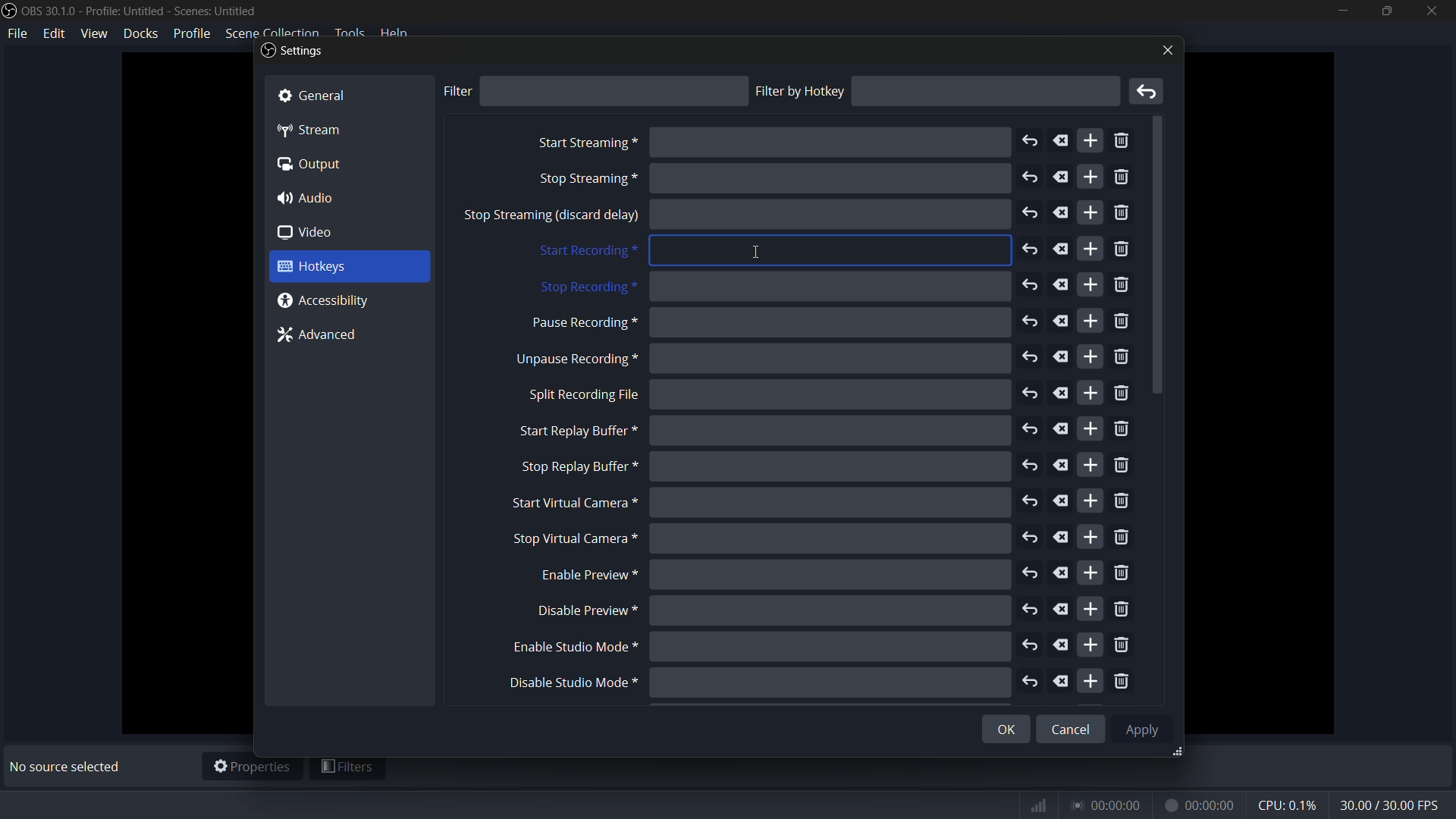  Describe the element at coordinates (570, 504) in the screenshot. I see `start virtual camera` at that location.